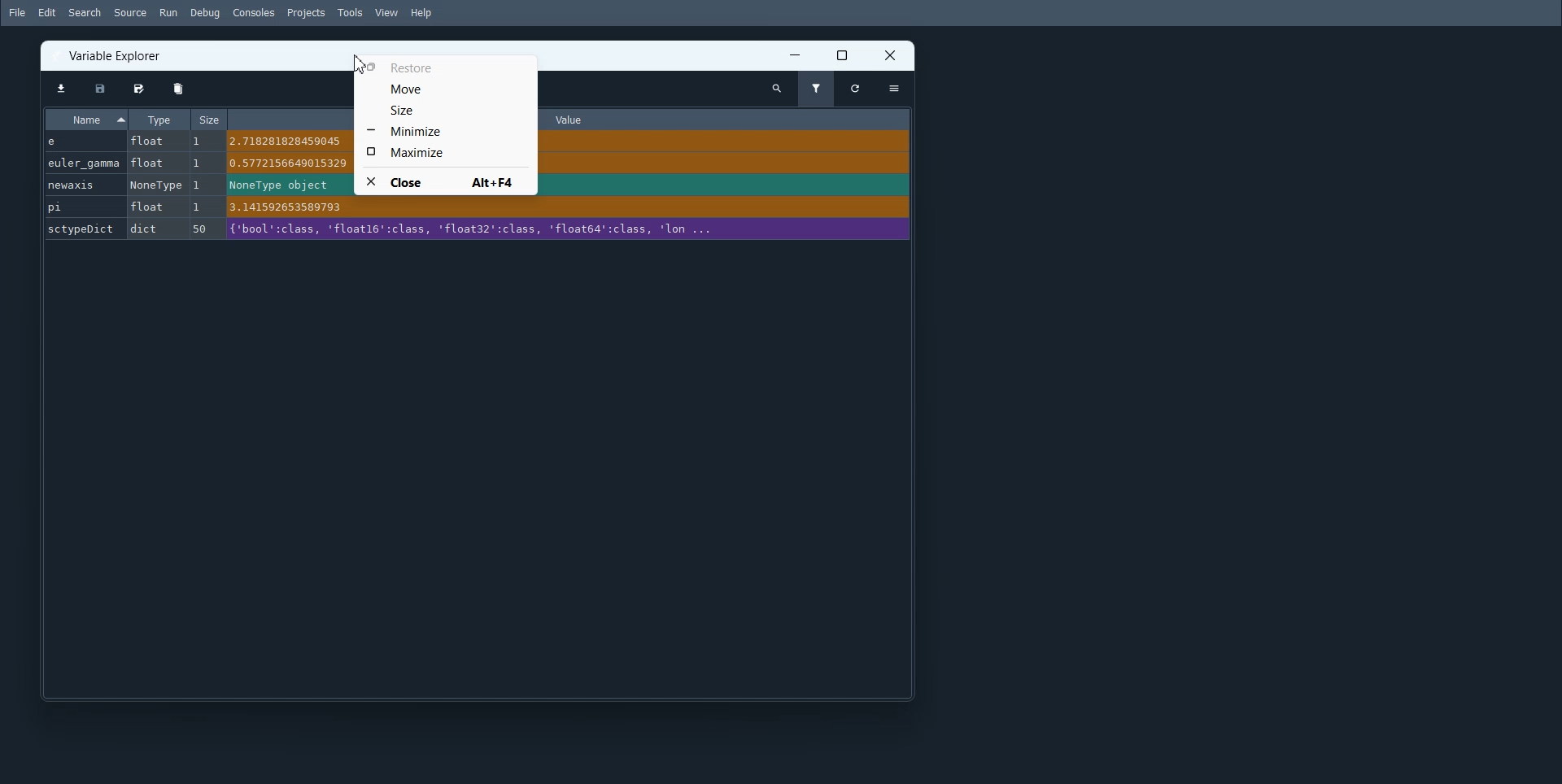 This screenshot has height=784, width=1562. Describe the element at coordinates (844, 55) in the screenshot. I see `Maximize` at that location.